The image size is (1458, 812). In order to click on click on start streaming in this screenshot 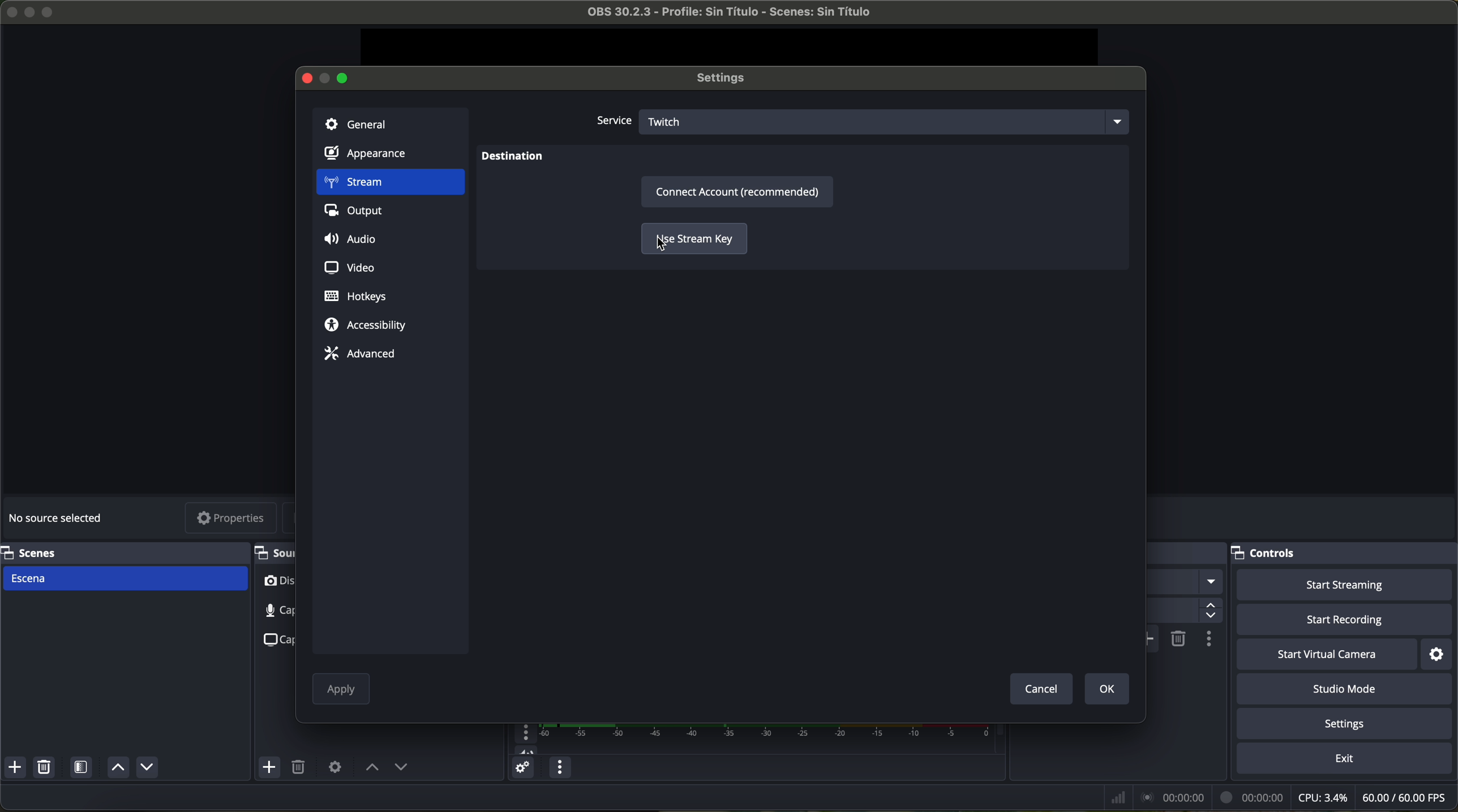, I will do `click(1345, 586)`.